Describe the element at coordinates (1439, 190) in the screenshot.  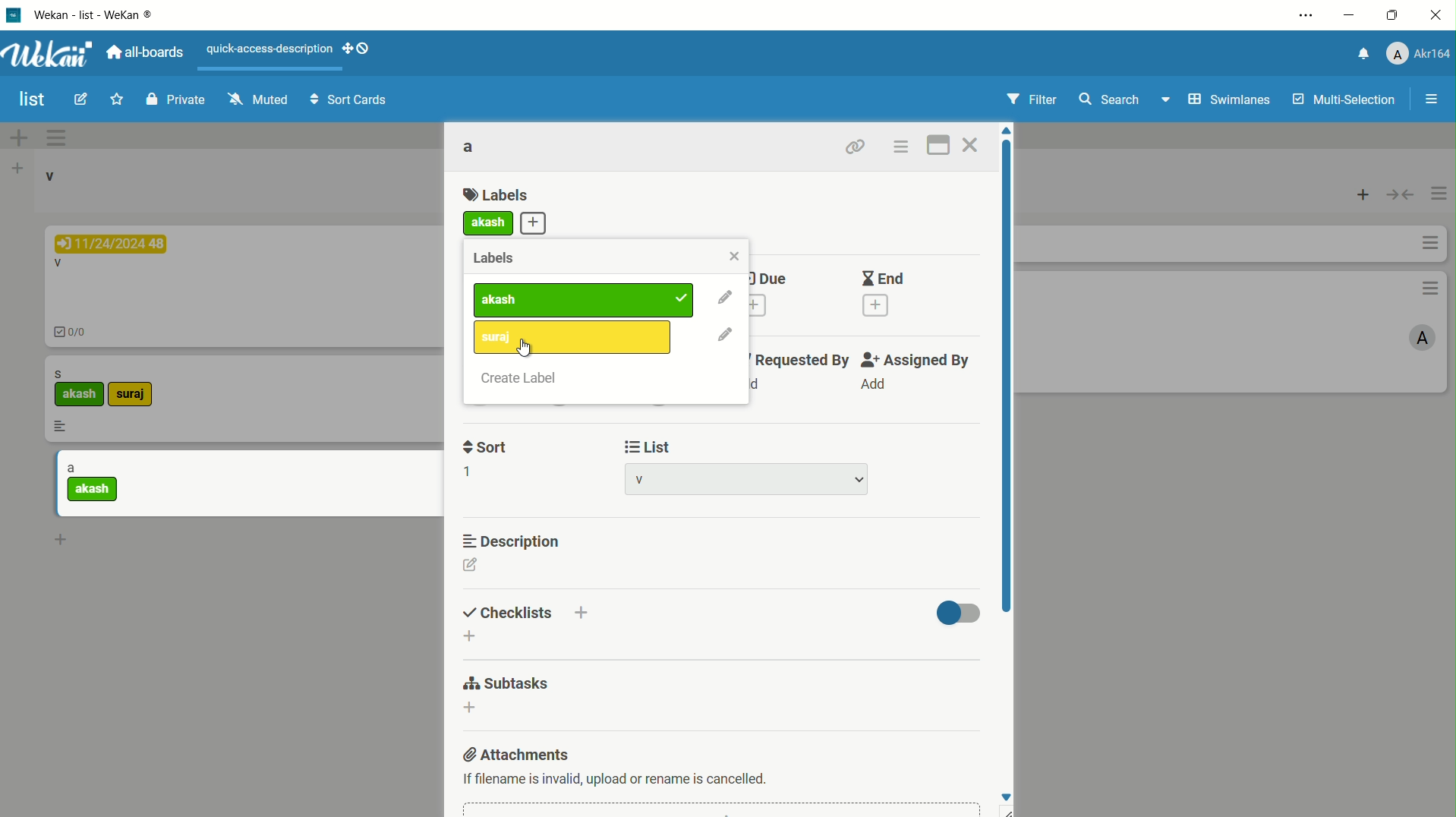
I see `options` at that location.